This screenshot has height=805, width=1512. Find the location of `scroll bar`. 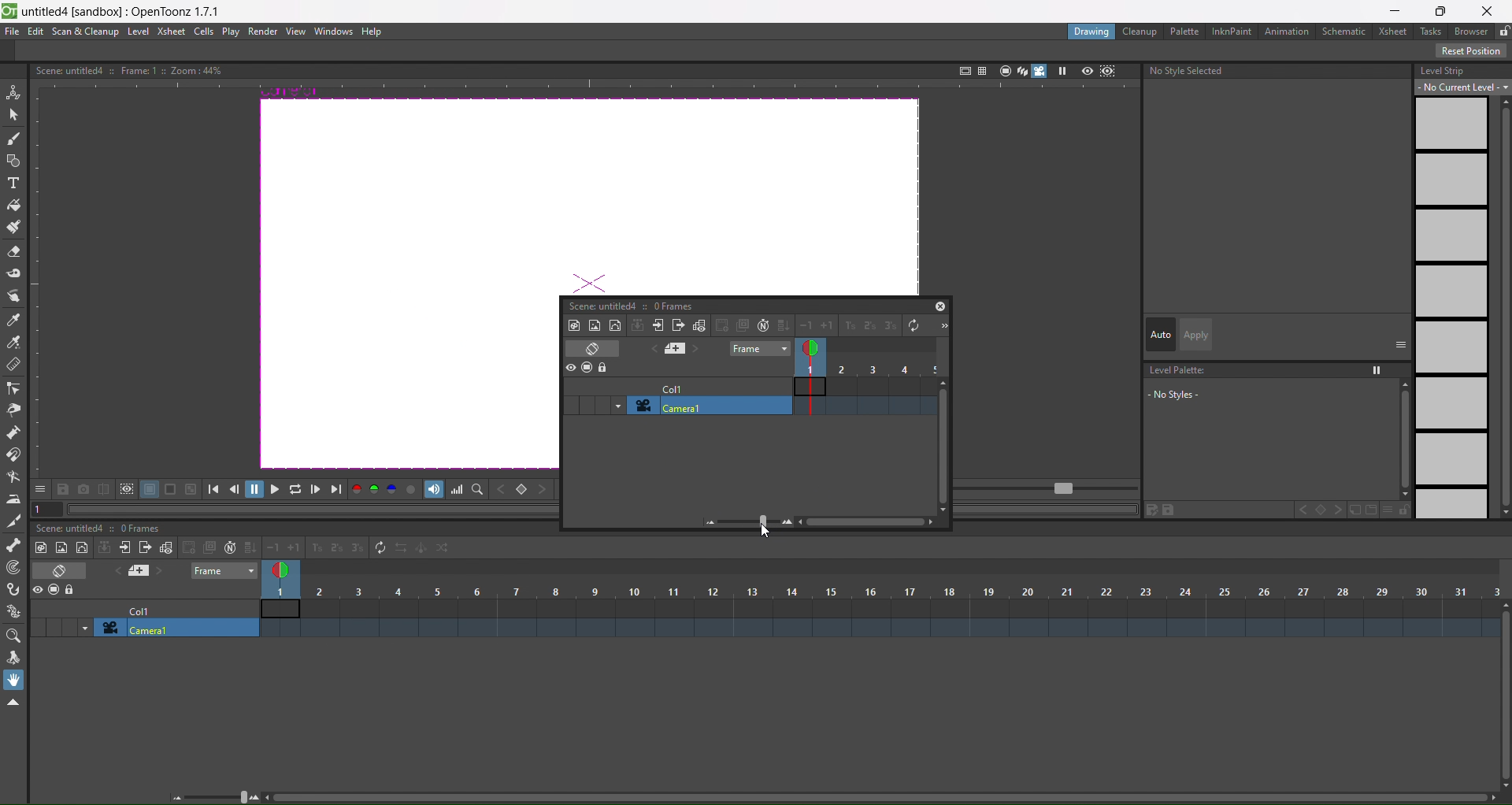

scroll bar is located at coordinates (876, 799).